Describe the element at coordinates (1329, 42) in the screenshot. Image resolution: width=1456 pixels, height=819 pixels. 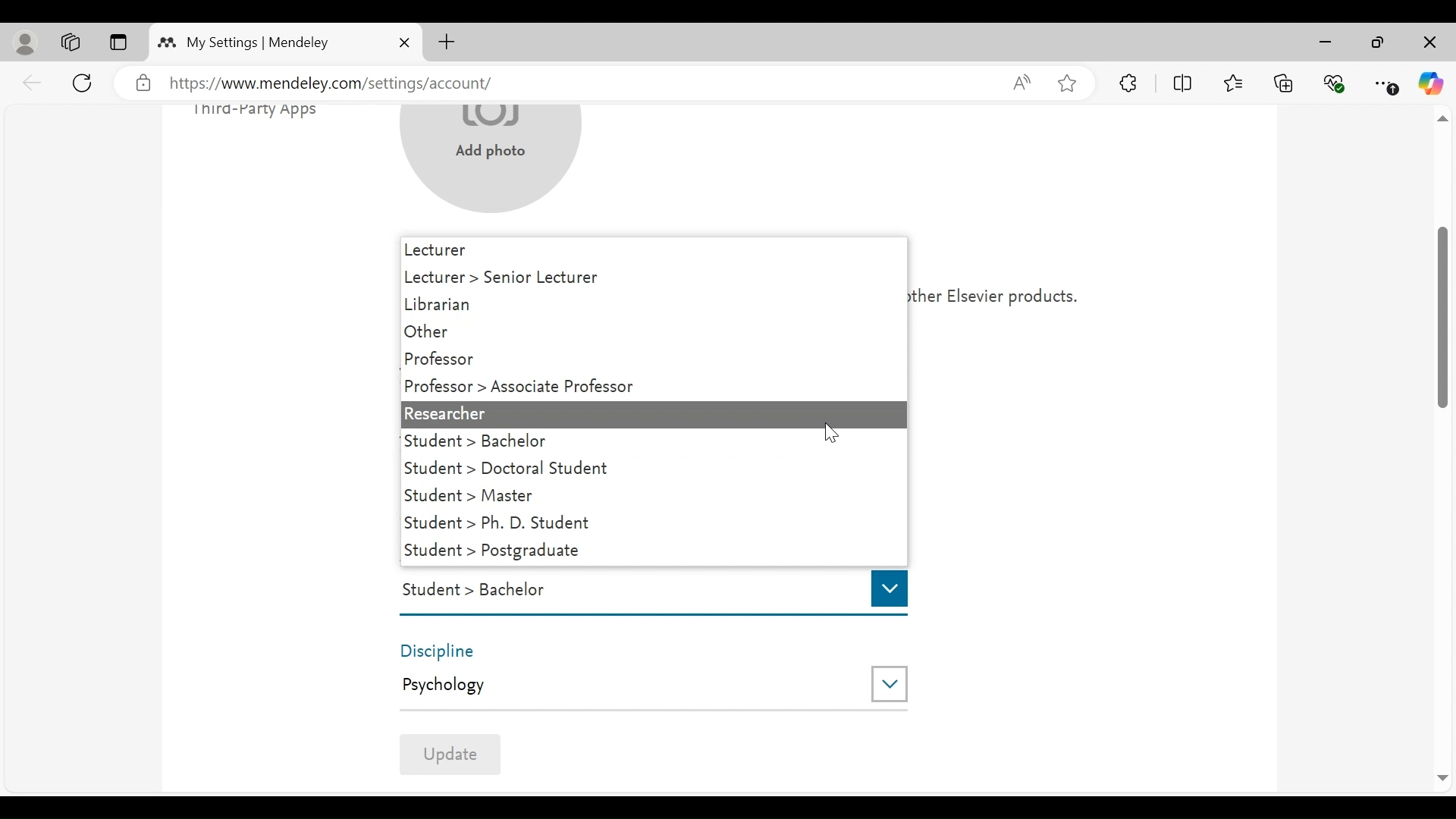
I see `minimize` at that location.